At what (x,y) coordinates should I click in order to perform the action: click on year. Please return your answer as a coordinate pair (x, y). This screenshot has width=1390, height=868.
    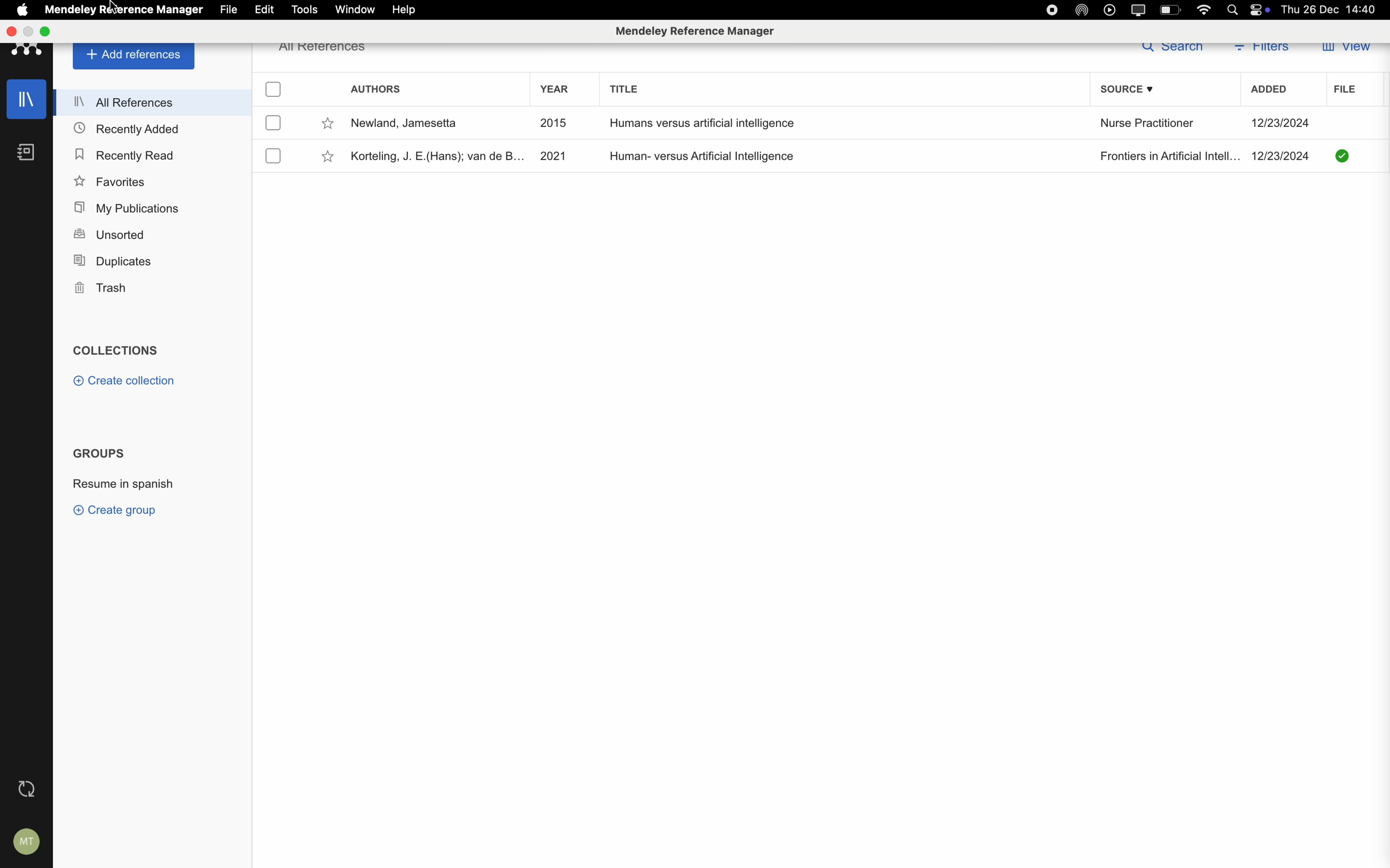
    Looking at the image, I should click on (555, 88).